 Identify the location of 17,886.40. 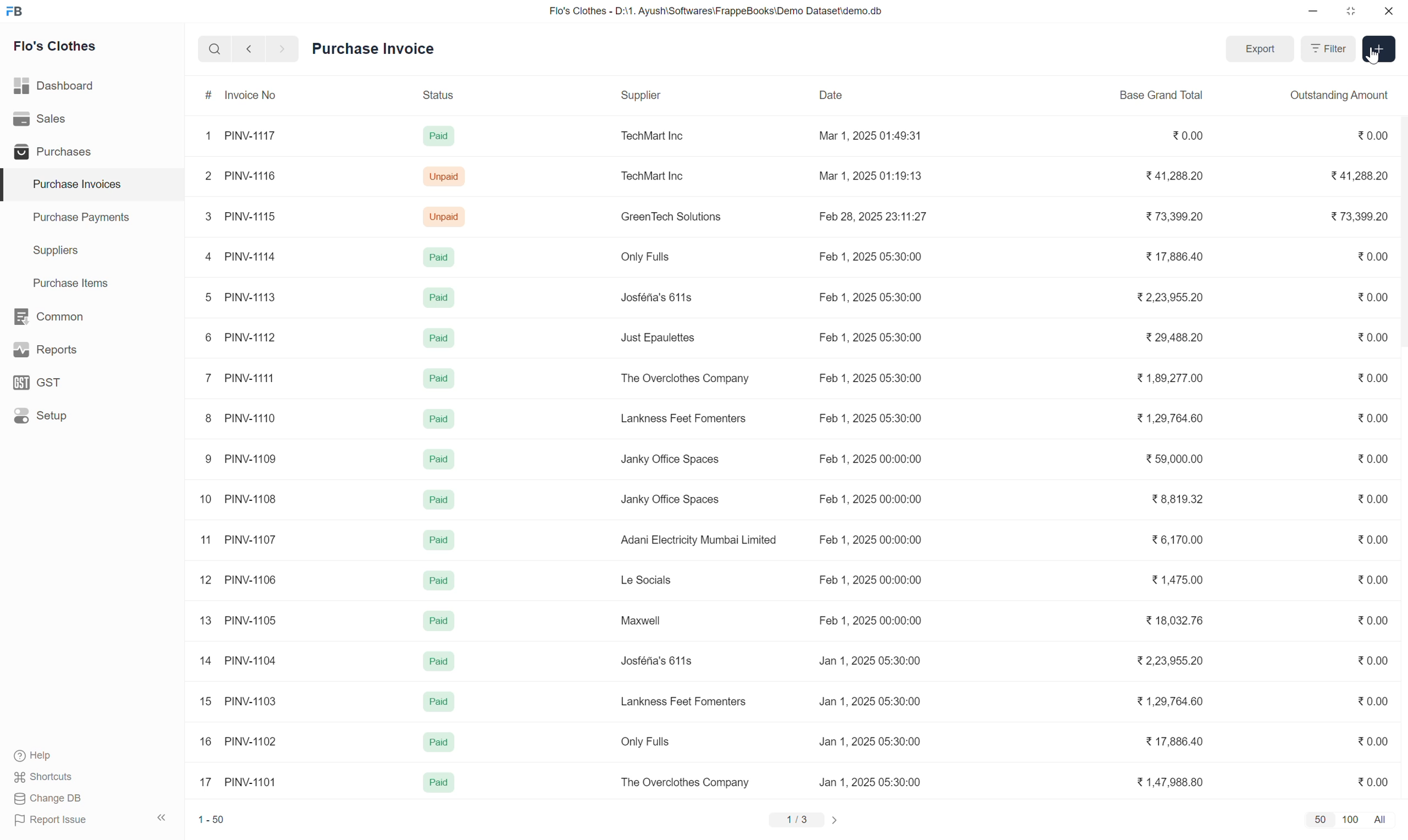
(1174, 256).